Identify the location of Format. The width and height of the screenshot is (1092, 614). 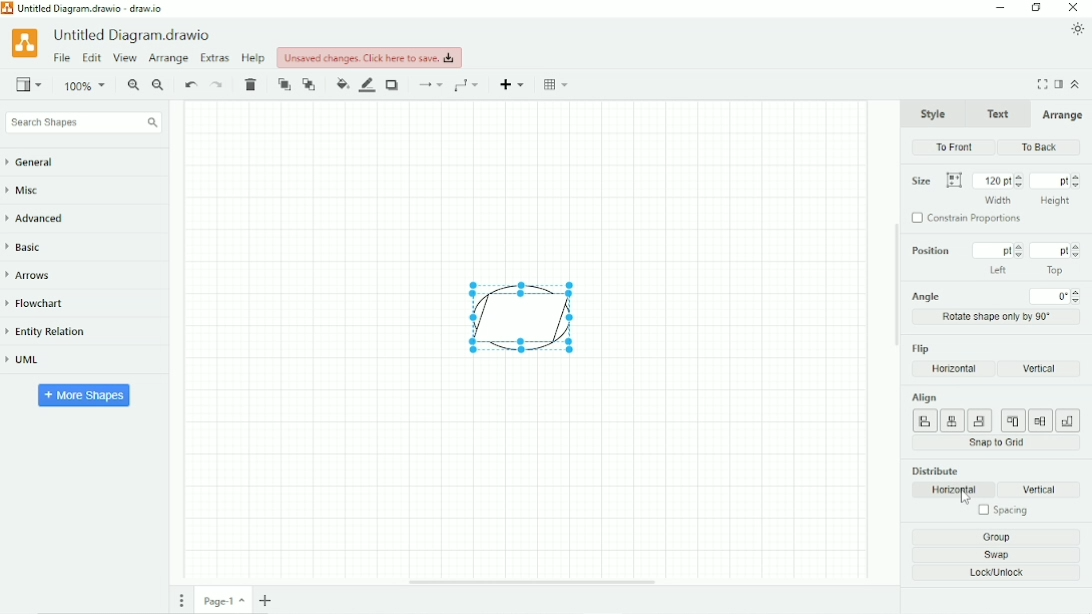
(1059, 84).